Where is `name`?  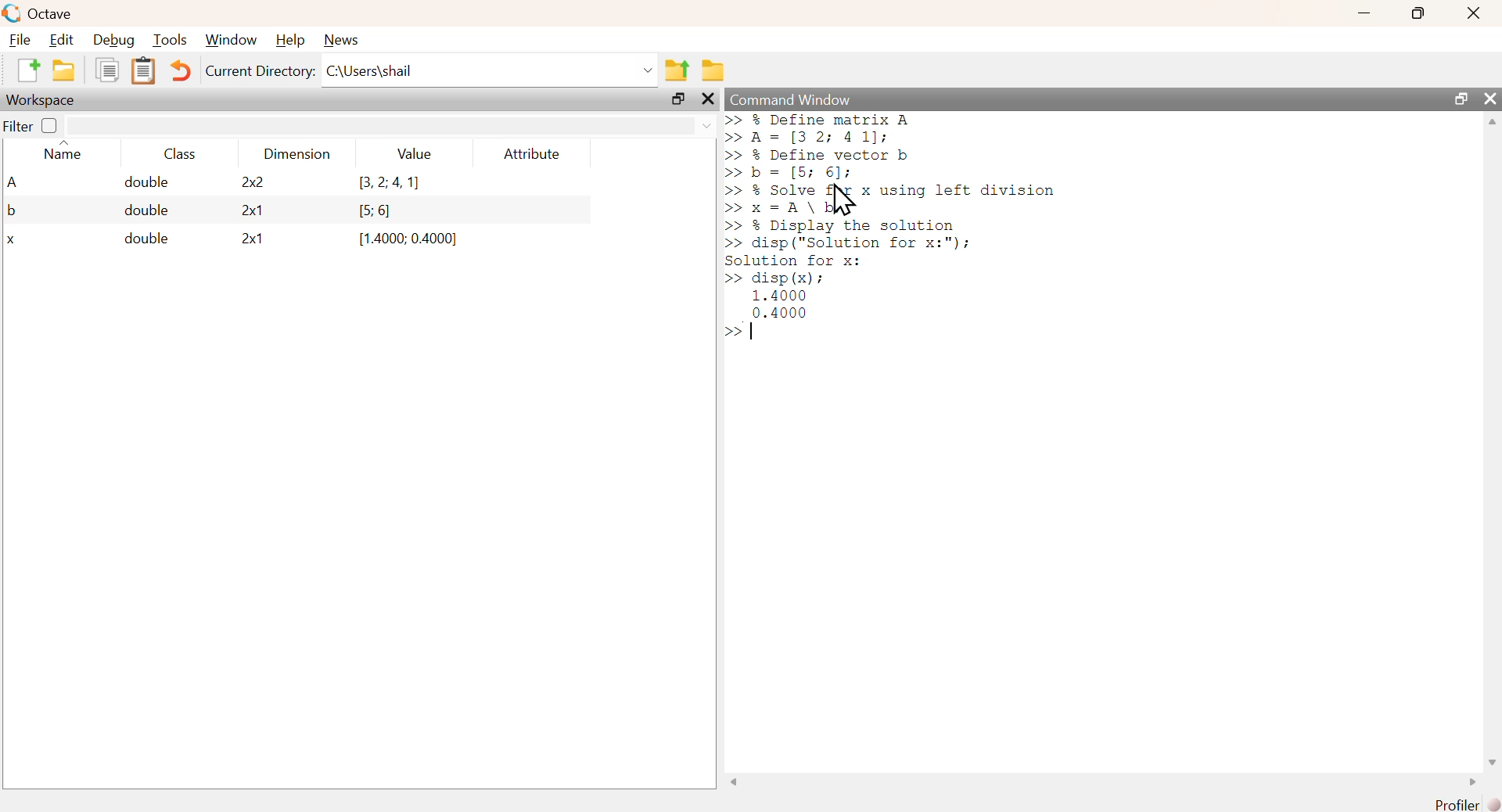 name is located at coordinates (60, 153).